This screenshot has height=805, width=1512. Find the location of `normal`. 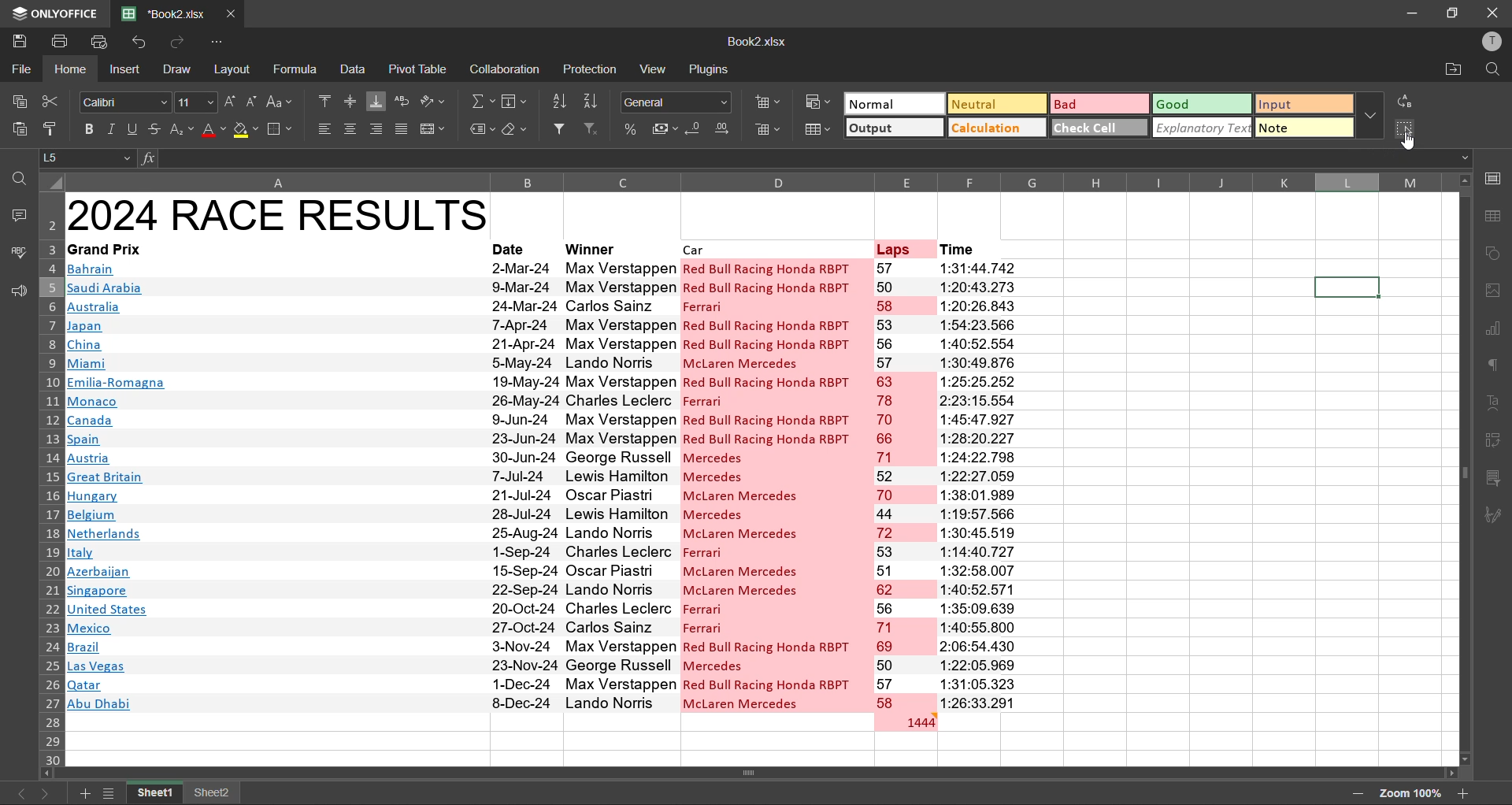

normal is located at coordinates (894, 102).